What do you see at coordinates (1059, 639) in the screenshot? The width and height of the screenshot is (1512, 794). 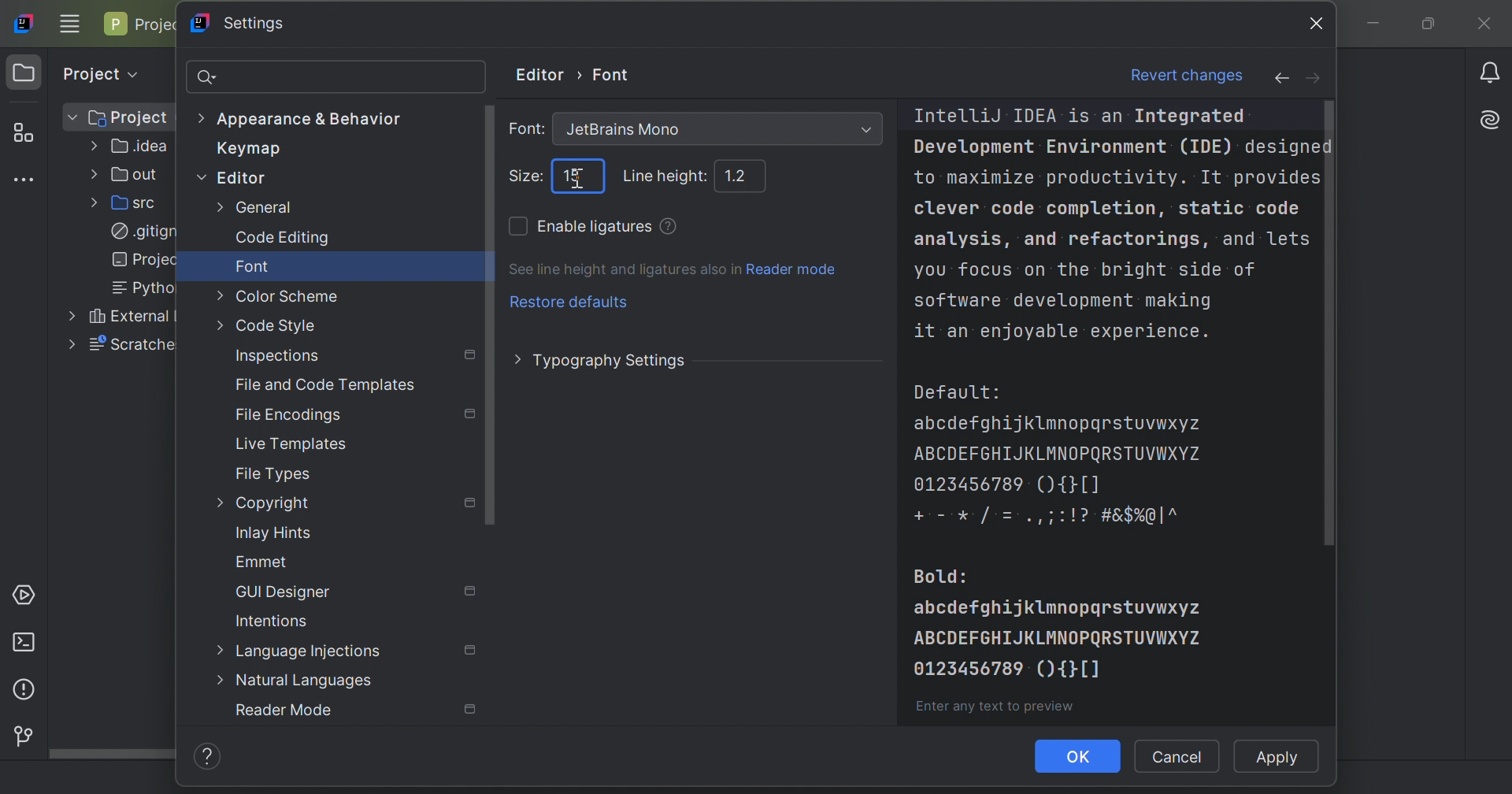 I see `ABCDEFGHIJKLMNOPQRSTUVWXYZ` at bounding box center [1059, 639].